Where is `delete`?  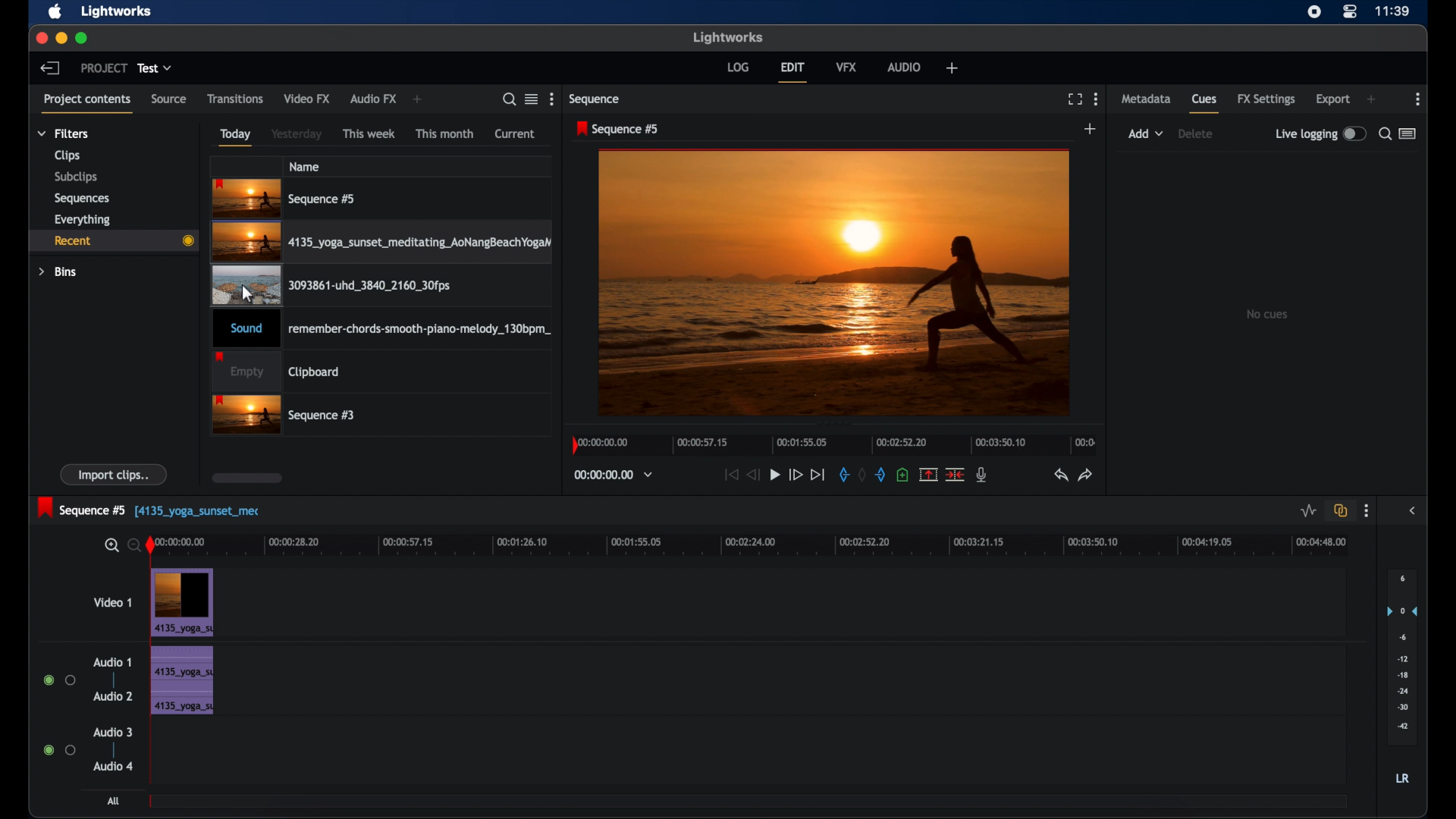 delete is located at coordinates (1195, 133).